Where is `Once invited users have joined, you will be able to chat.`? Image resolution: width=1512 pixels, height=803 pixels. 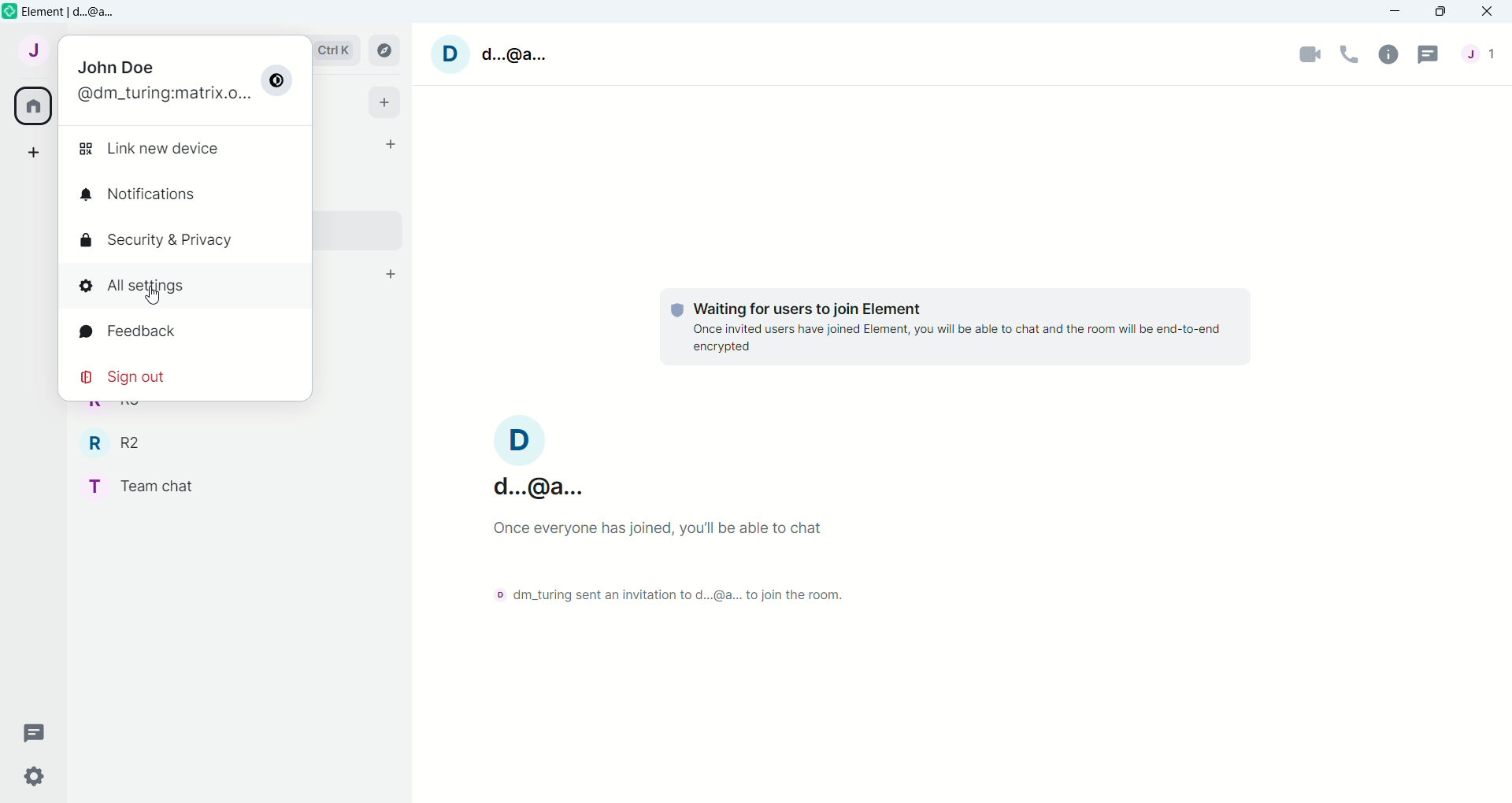 Once invited users have joined, you will be able to chat. is located at coordinates (692, 532).